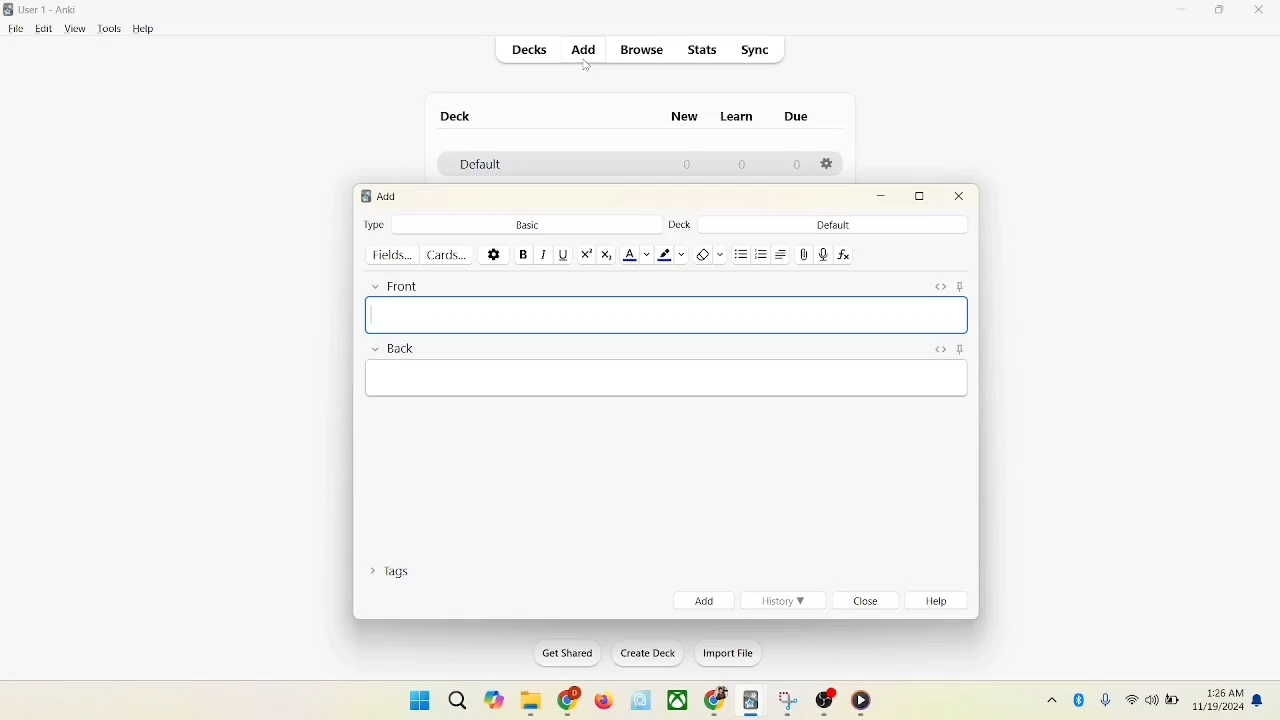 This screenshot has height=720, width=1280. I want to click on tools, so click(109, 29).